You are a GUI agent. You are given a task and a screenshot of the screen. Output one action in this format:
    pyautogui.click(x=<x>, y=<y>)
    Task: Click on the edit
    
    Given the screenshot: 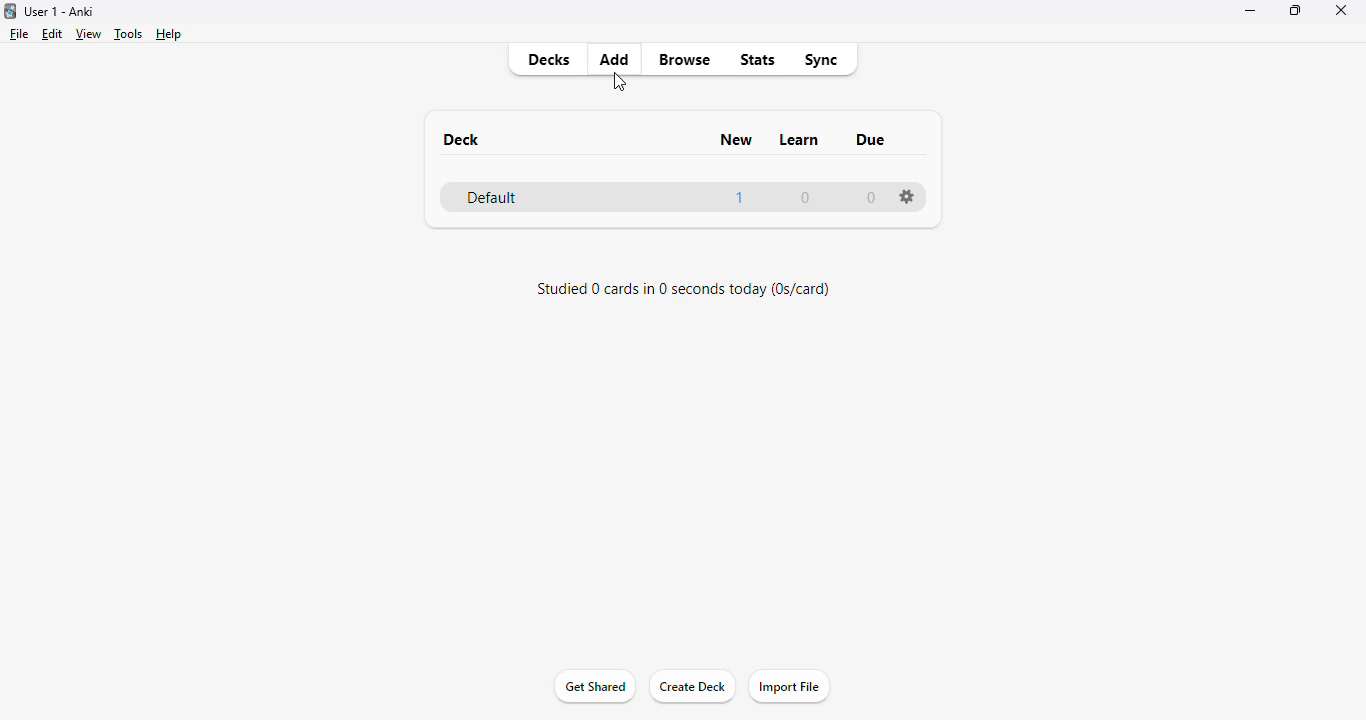 What is the action you would take?
    pyautogui.click(x=52, y=34)
    